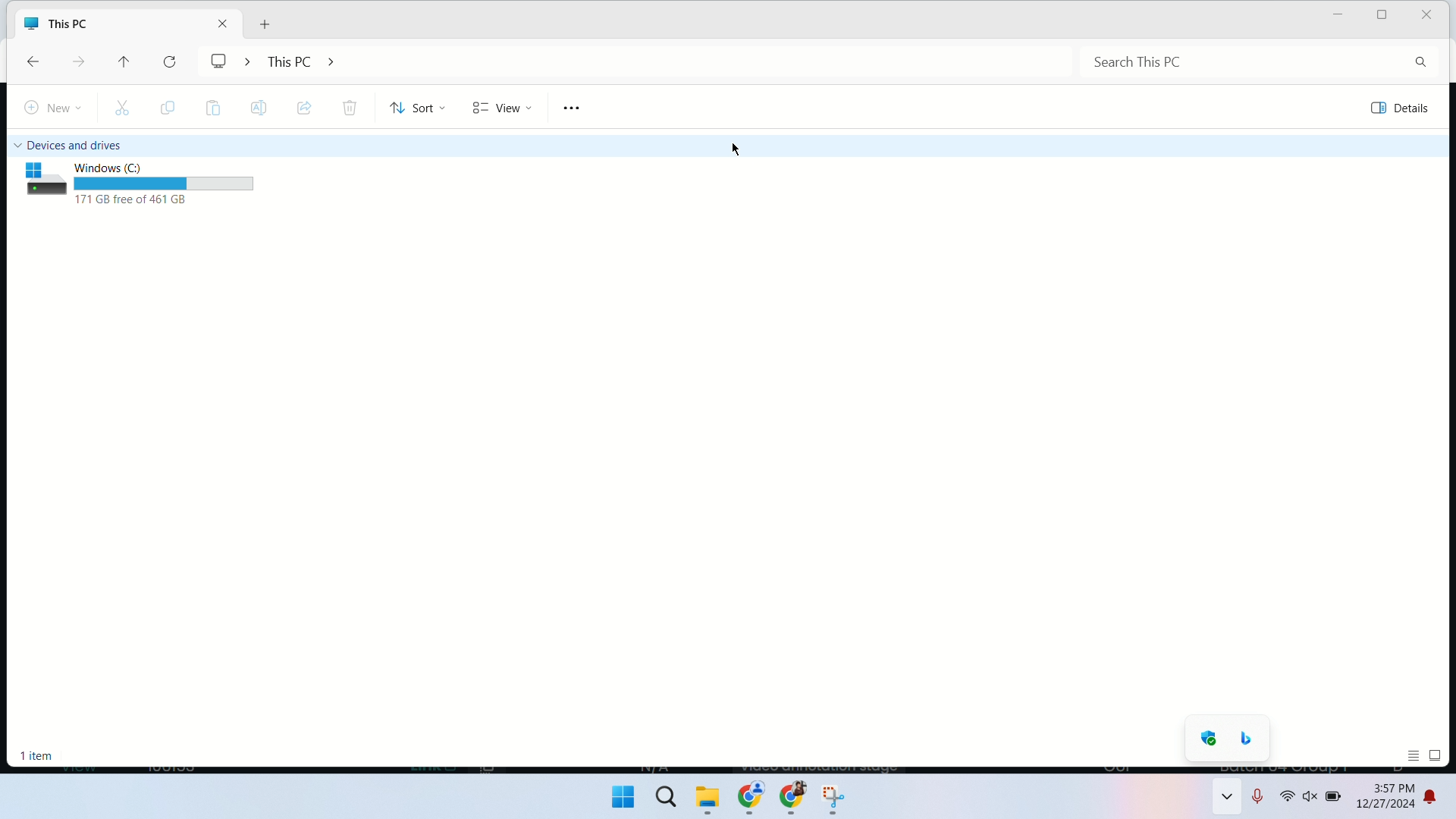 The image size is (1456, 819). What do you see at coordinates (39, 64) in the screenshot?
I see `back` at bounding box center [39, 64].